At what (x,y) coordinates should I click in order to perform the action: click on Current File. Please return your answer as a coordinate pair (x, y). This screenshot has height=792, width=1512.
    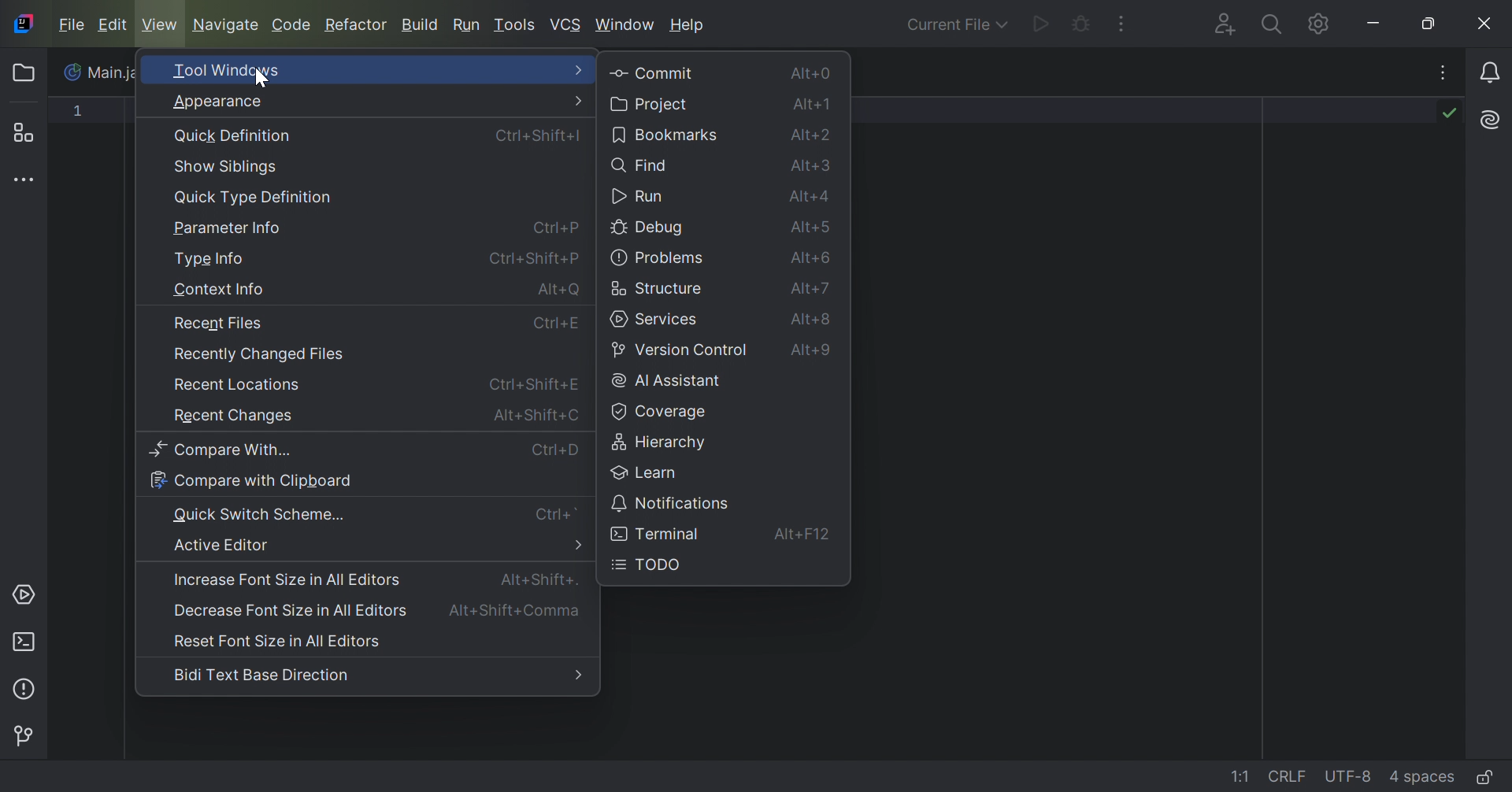
    Looking at the image, I should click on (954, 25).